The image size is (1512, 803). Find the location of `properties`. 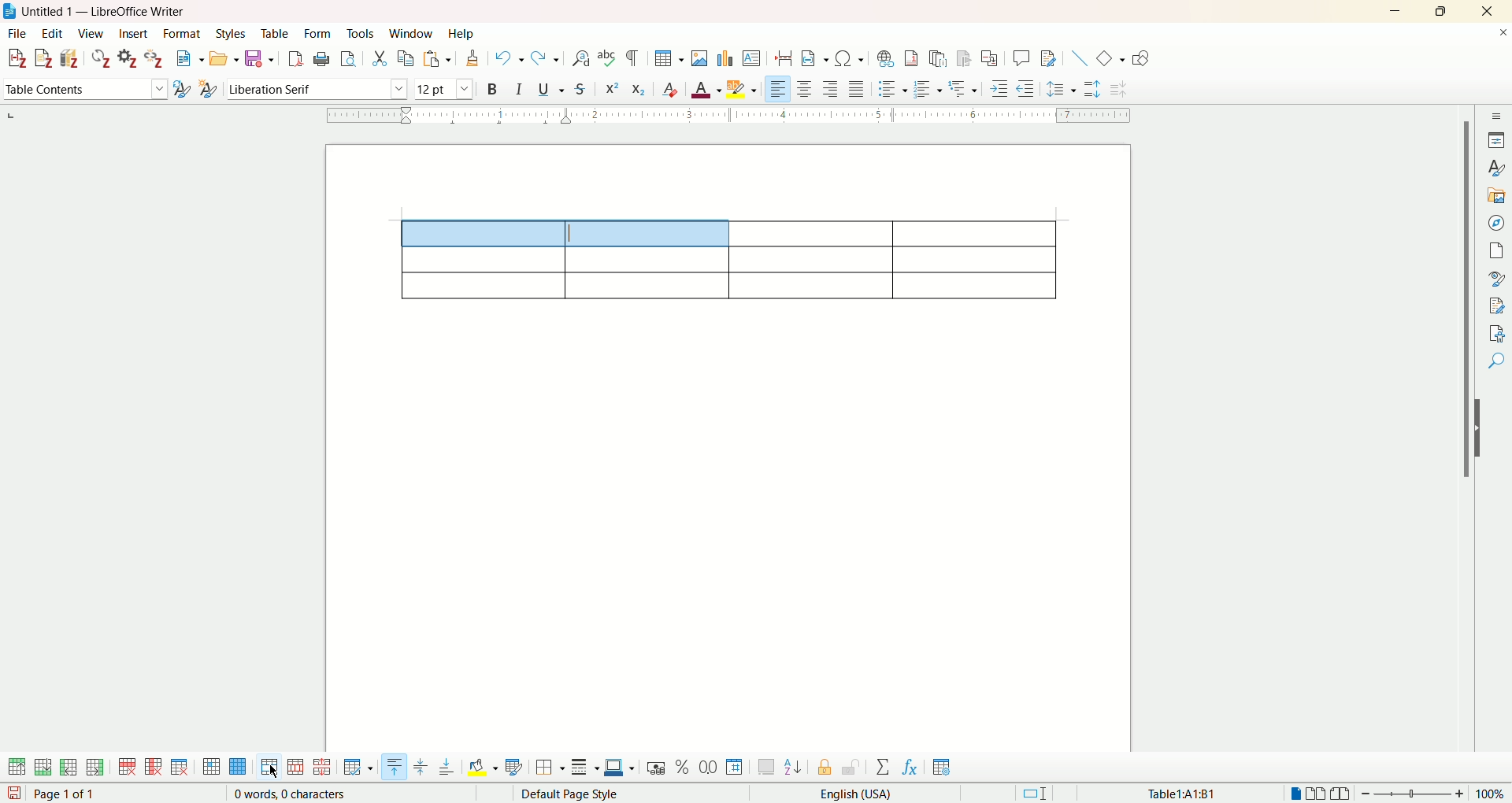

properties is located at coordinates (1495, 142).